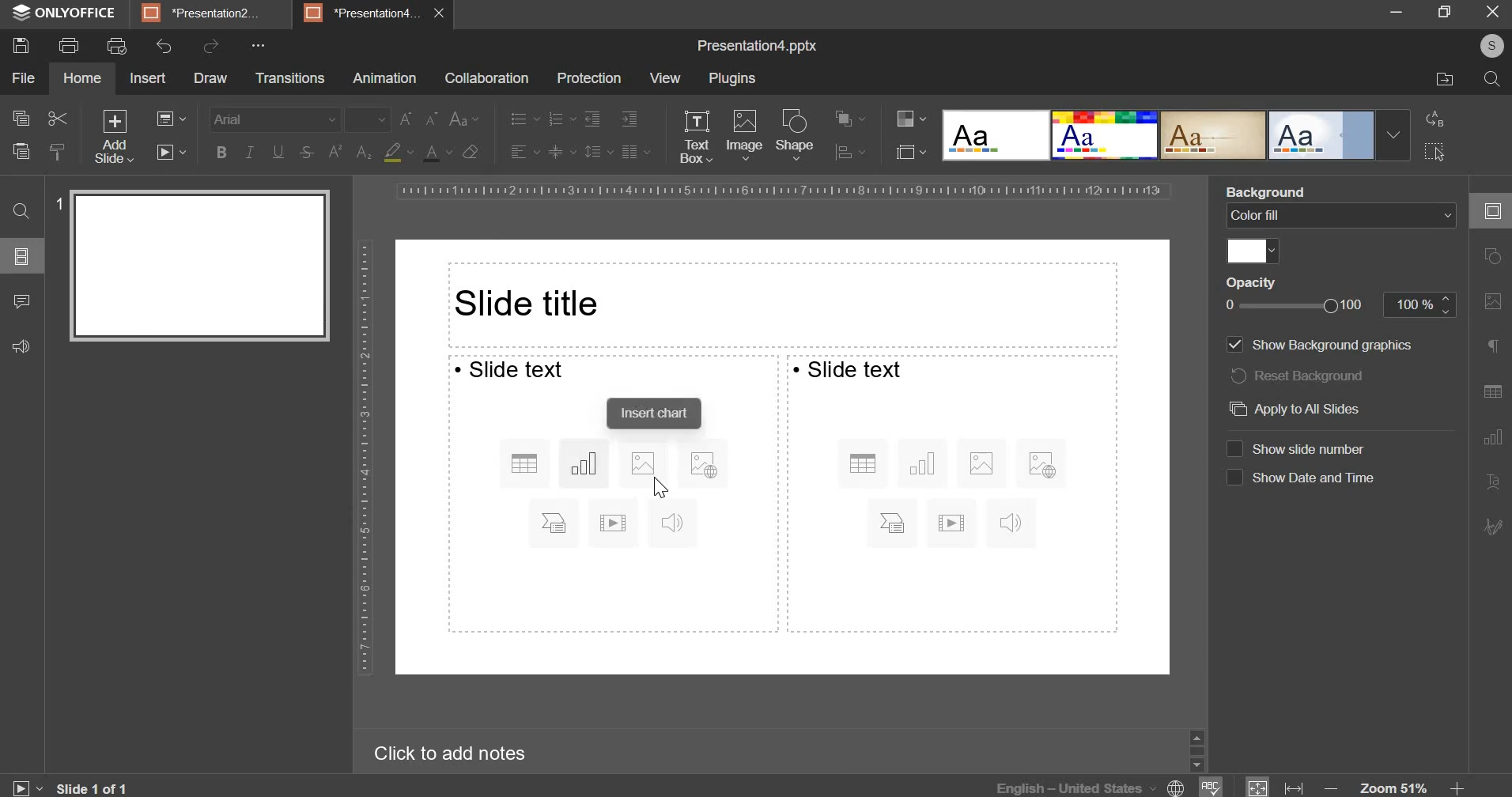 This screenshot has height=797, width=1512. Describe the element at coordinates (1316, 478) in the screenshot. I see `show date and time` at that location.